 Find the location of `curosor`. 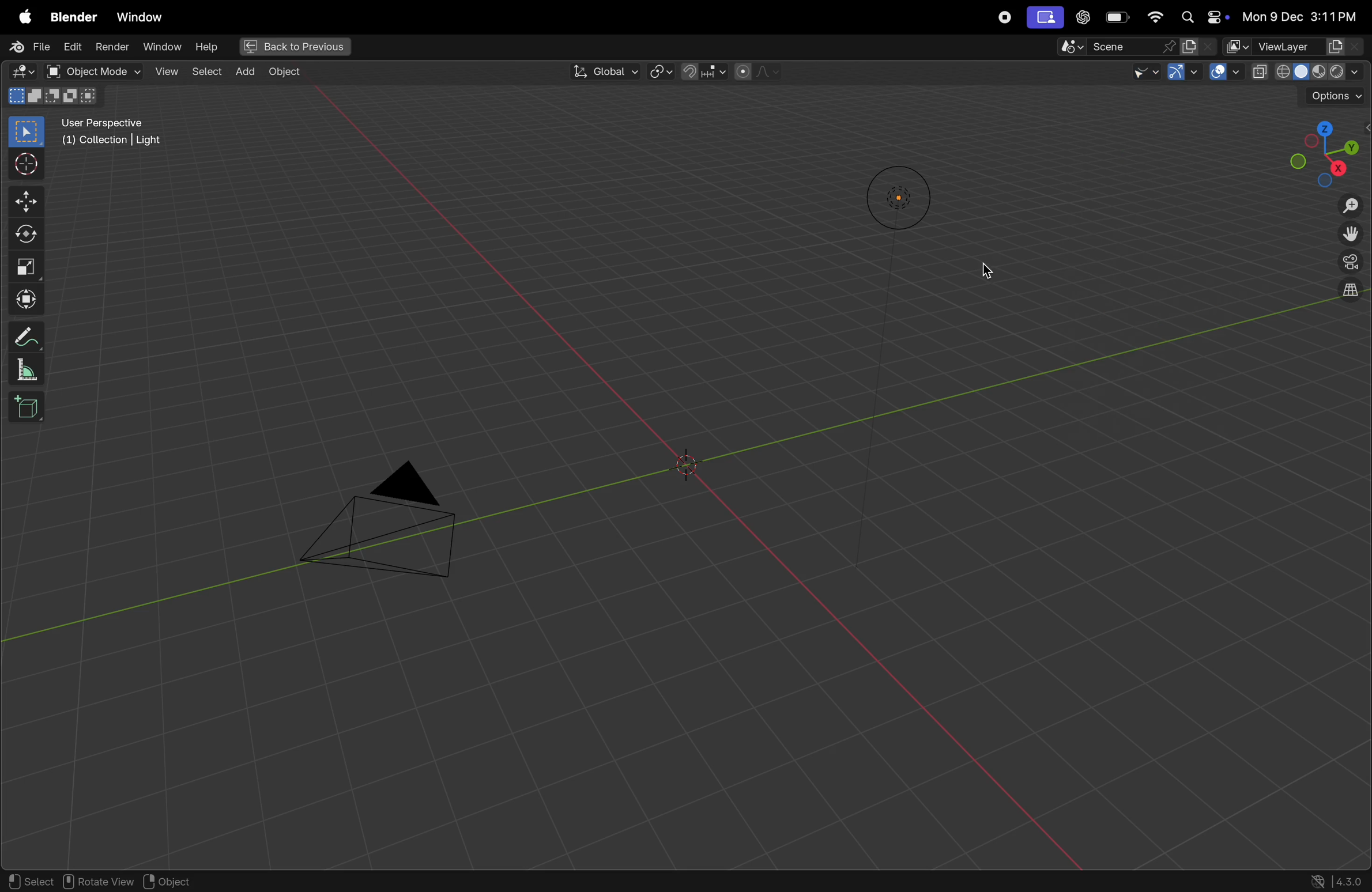

curosor is located at coordinates (993, 269).